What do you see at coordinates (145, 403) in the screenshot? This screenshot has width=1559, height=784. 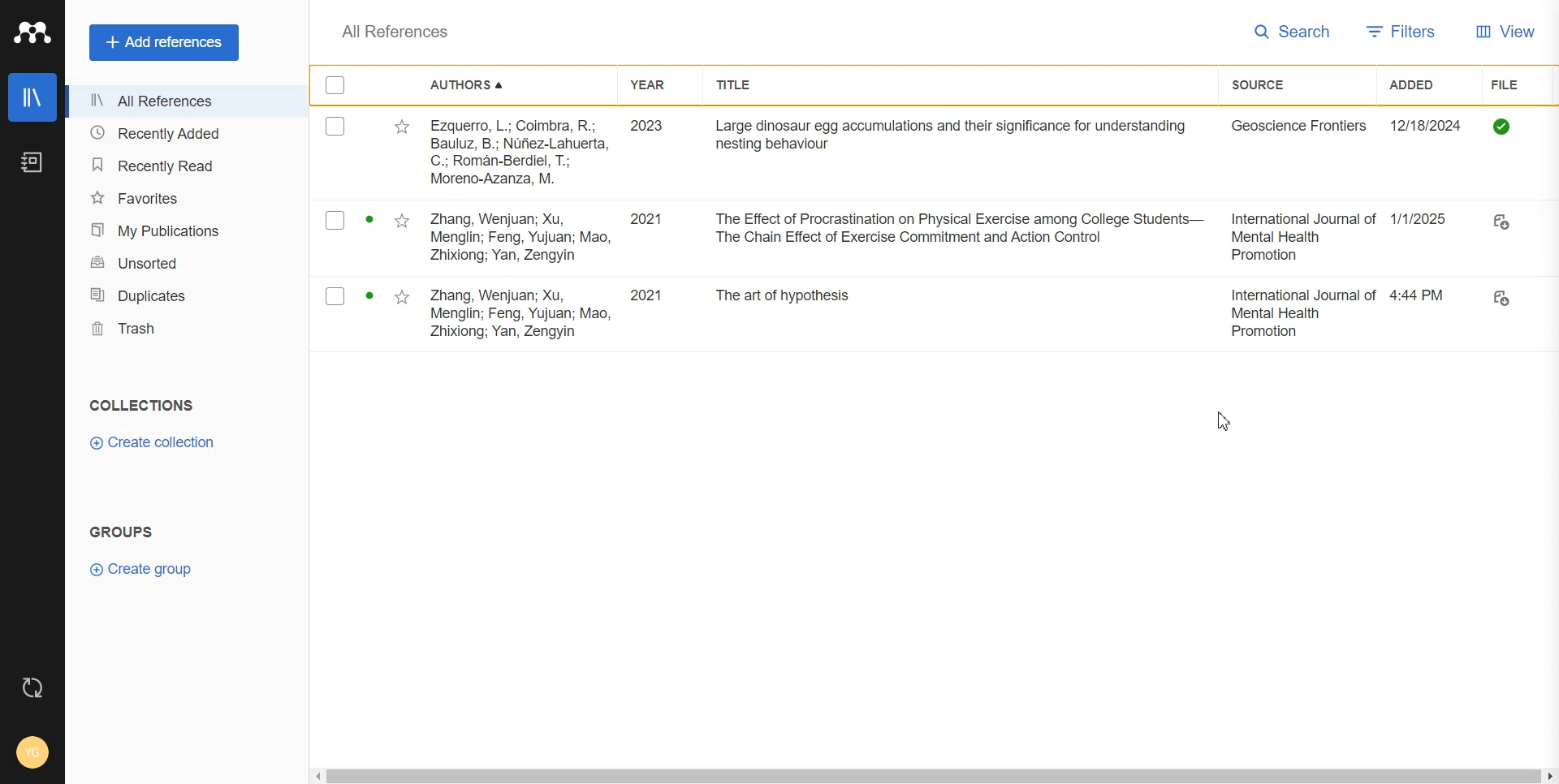 I see `collections` at bounding box center [145, 403].